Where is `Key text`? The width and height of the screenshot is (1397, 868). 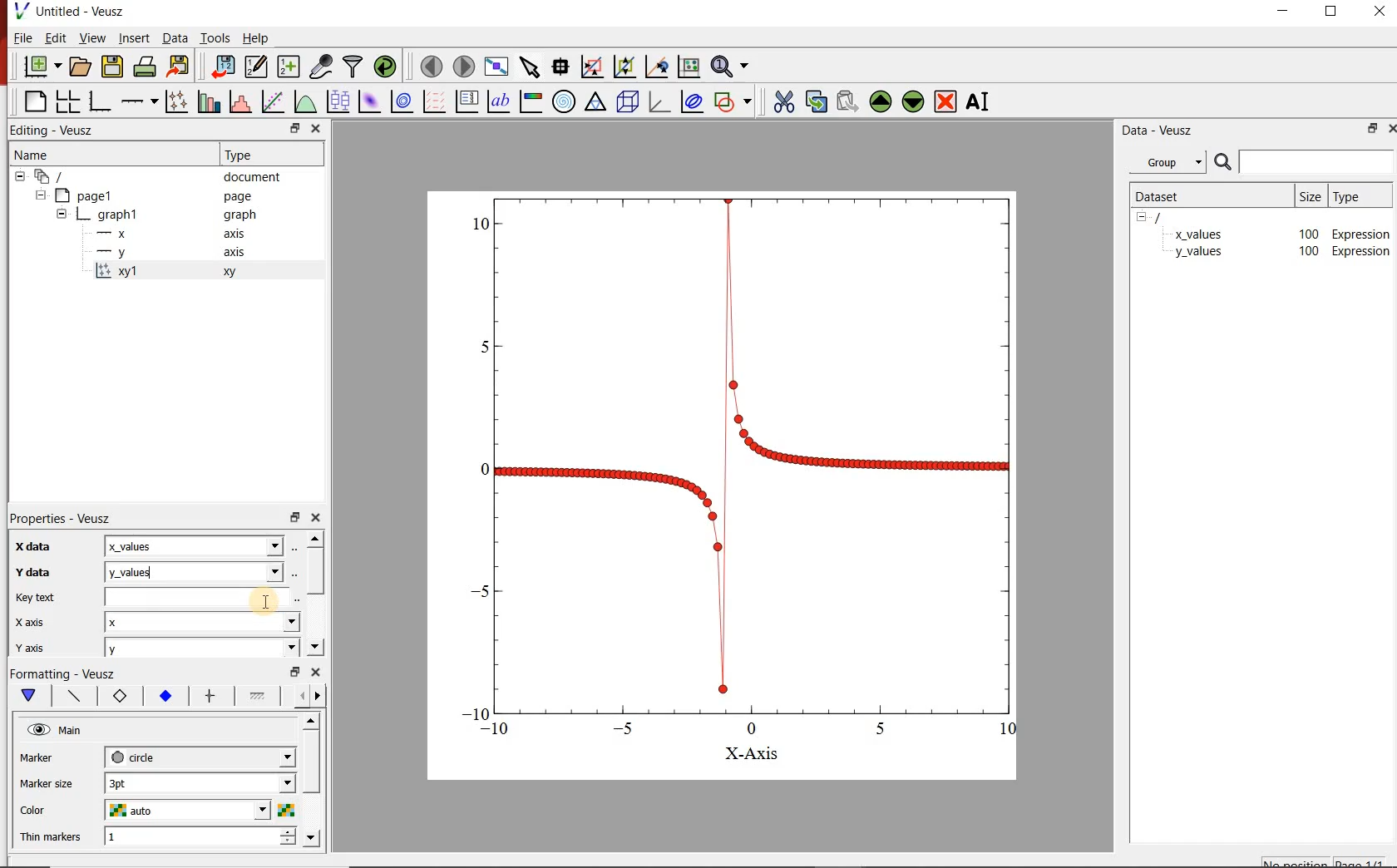 Key text is located at coordinates (37, 597).